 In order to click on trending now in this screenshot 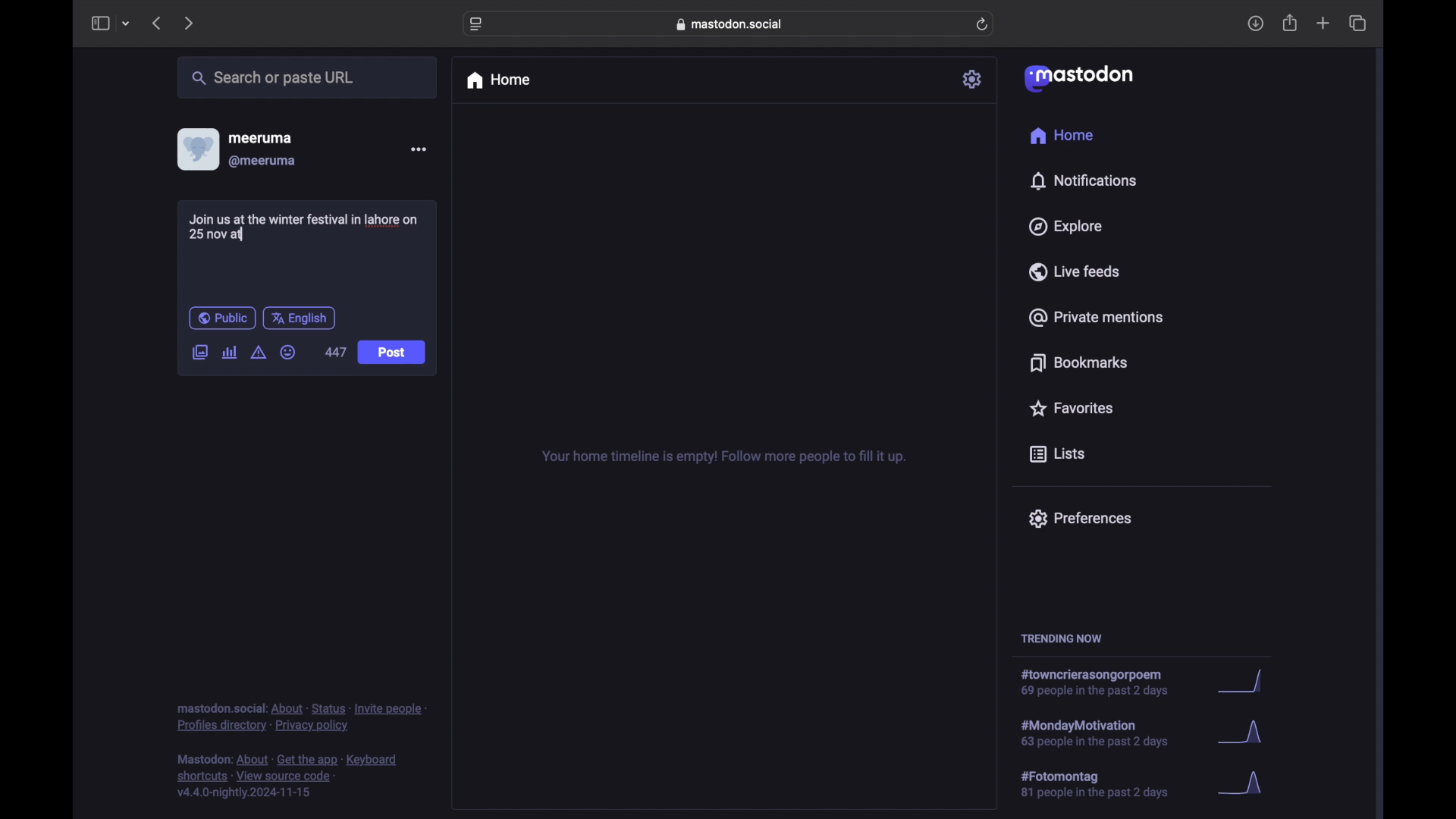, I will do `click(1061, 639)`.